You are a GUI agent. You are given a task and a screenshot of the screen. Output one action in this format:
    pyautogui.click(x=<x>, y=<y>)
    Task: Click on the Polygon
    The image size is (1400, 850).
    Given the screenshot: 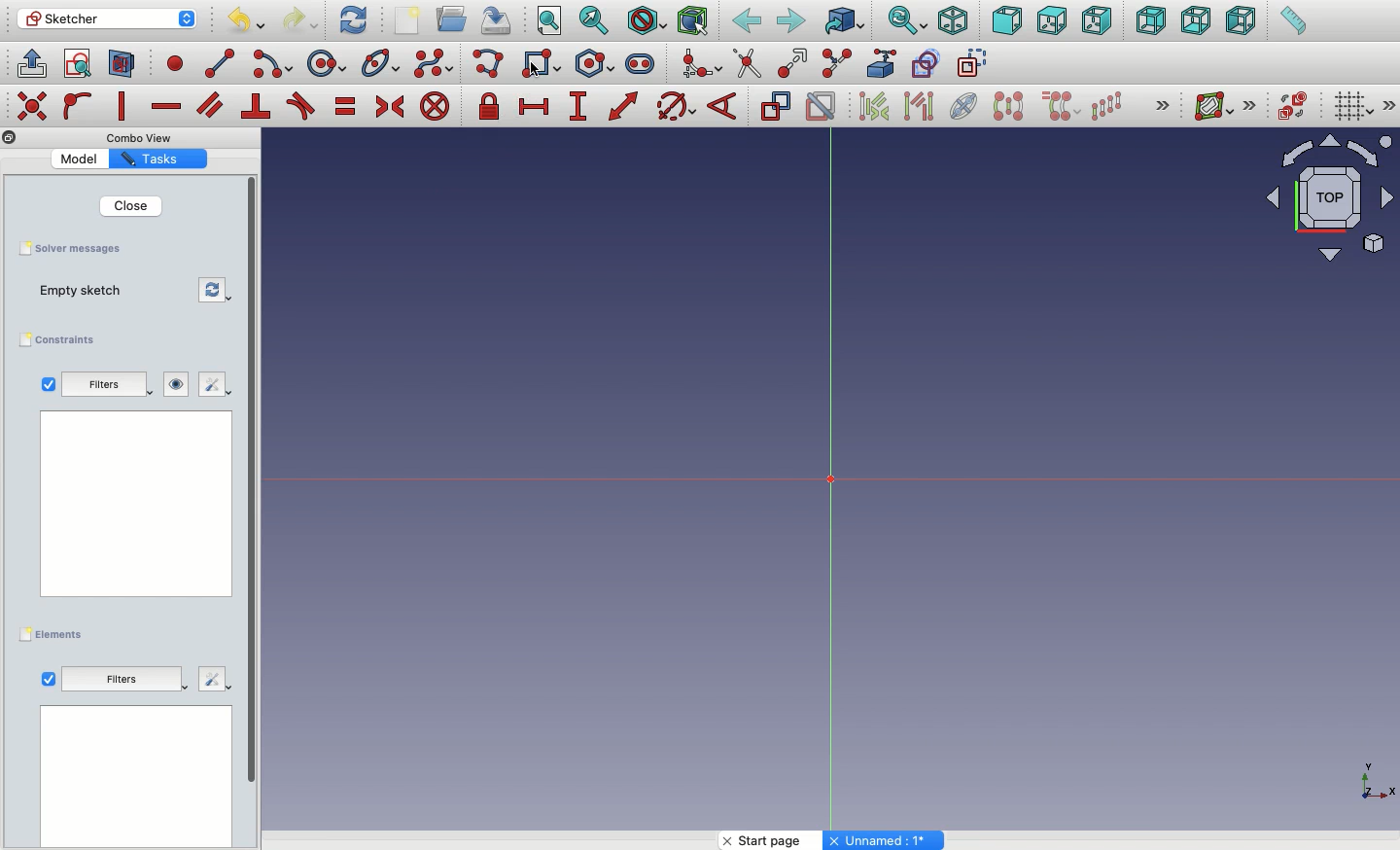 What is the action you would take?
    pyautogui.click(x=598, y=64)
    